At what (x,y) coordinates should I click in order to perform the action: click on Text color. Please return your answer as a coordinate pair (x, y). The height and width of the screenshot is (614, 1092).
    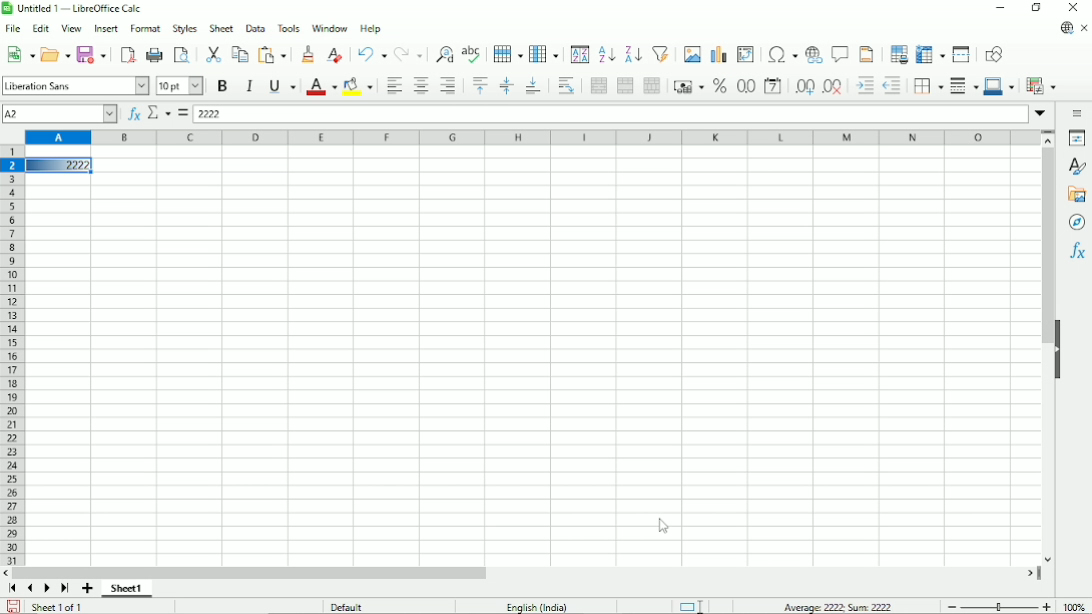
    Looking at the image, I should click on (321, 87).